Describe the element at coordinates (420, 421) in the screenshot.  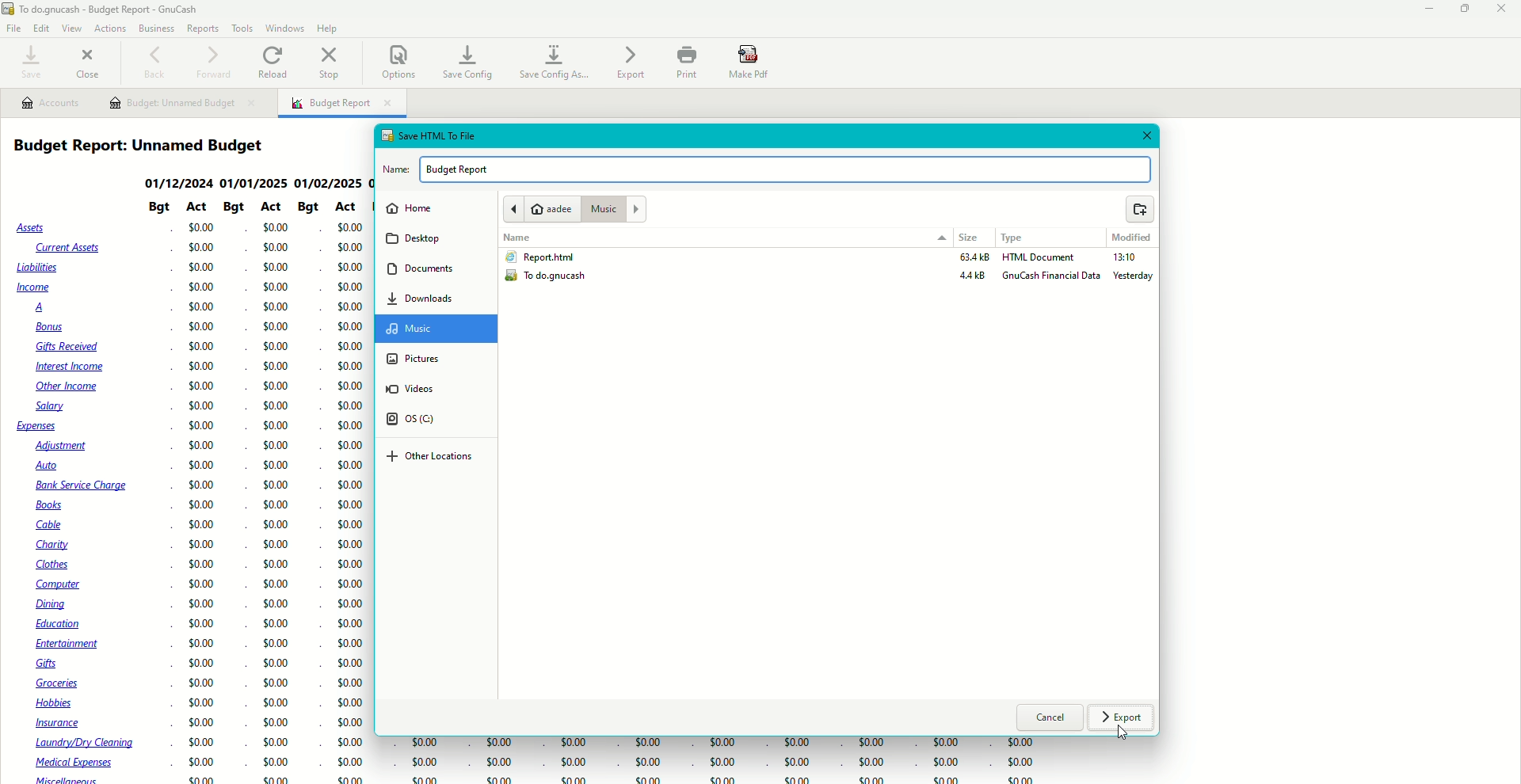
I see `OS` at that location.